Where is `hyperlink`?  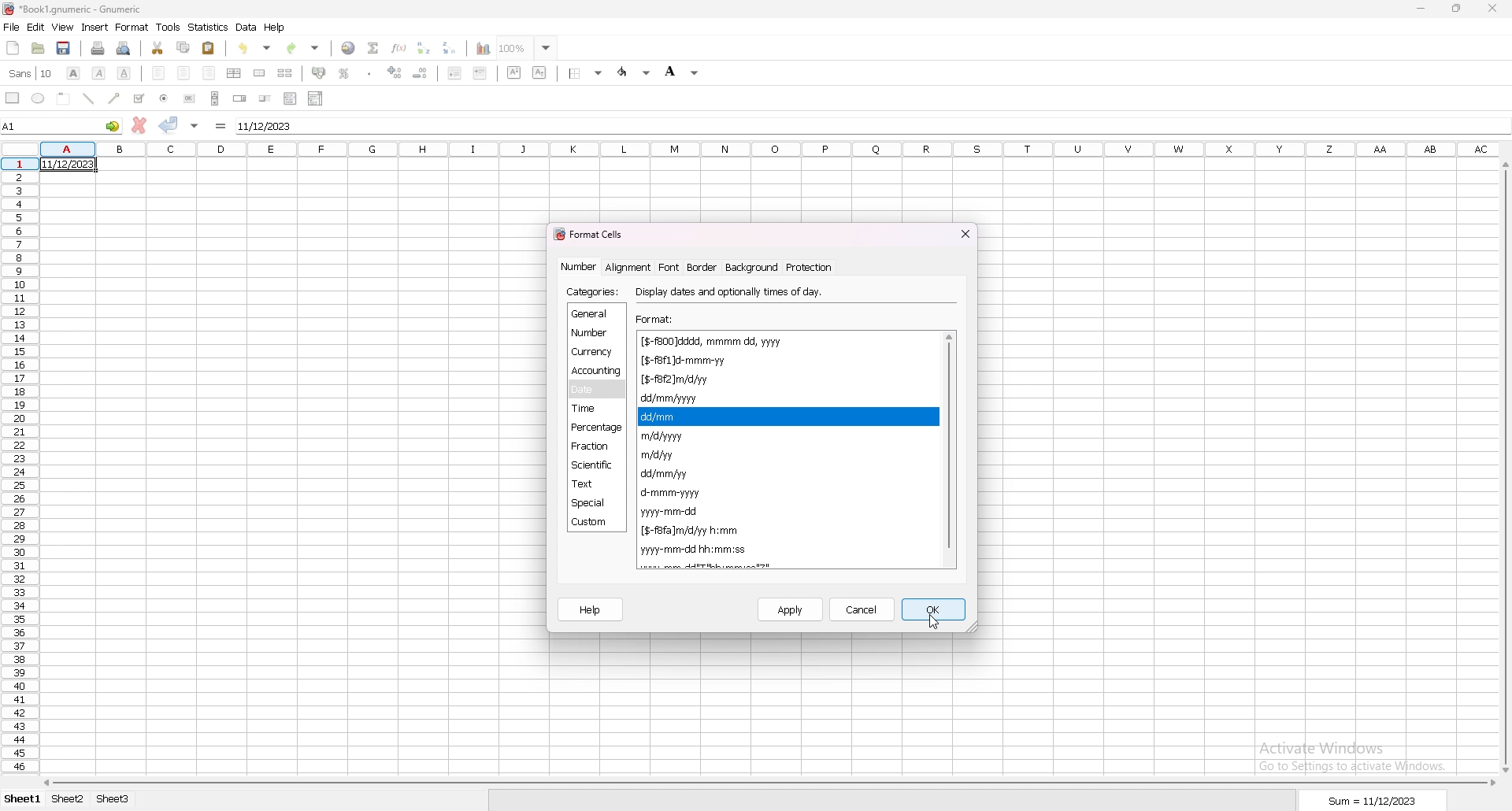 hyperlink is located at coordinates (349, 48).